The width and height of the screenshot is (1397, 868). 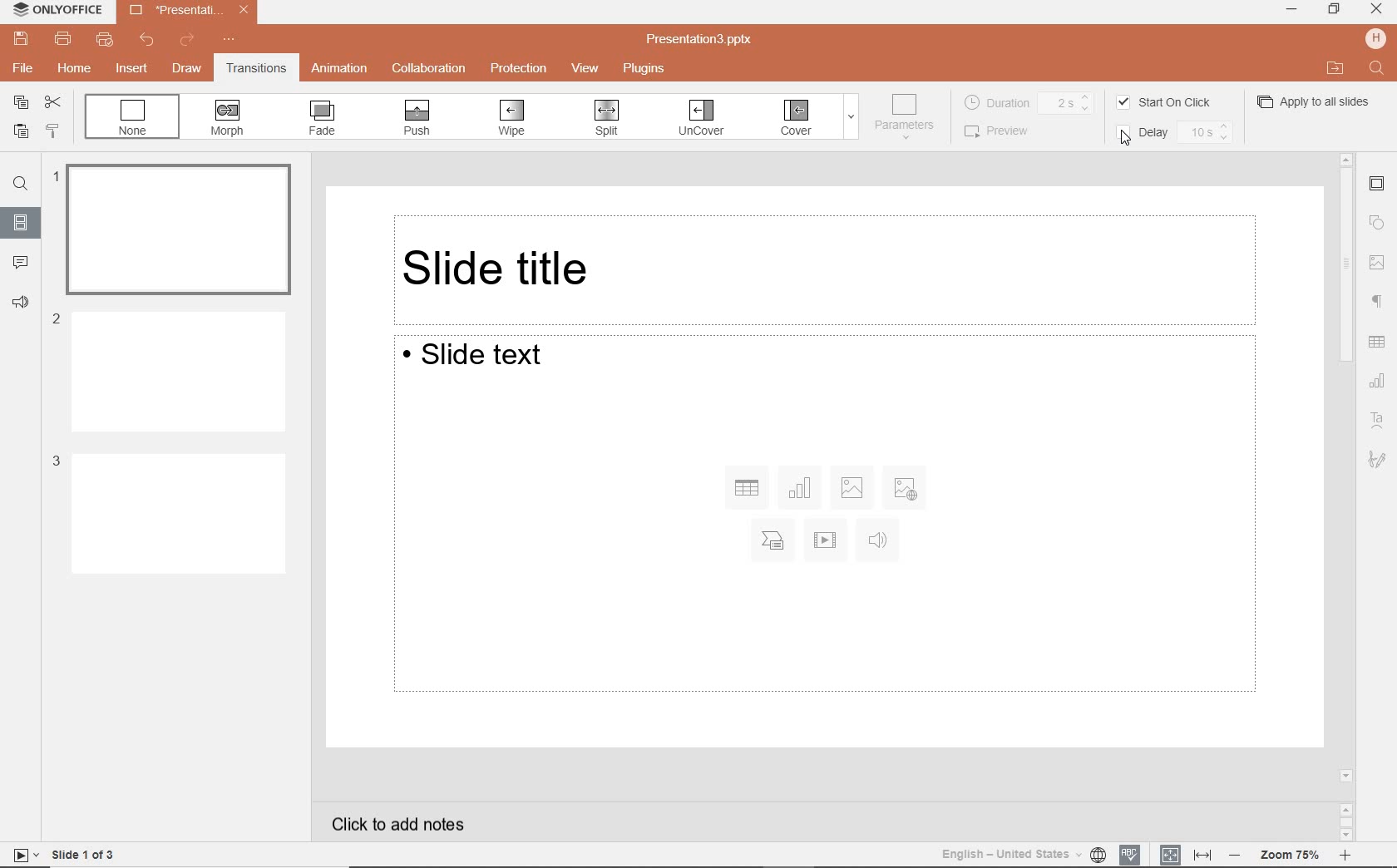 What do you see at coordinates (1187, 854) in the screenshot?
I see `FIT TO SLIDE / FIT TO WIDTH` at bounding box center [1187, 854].